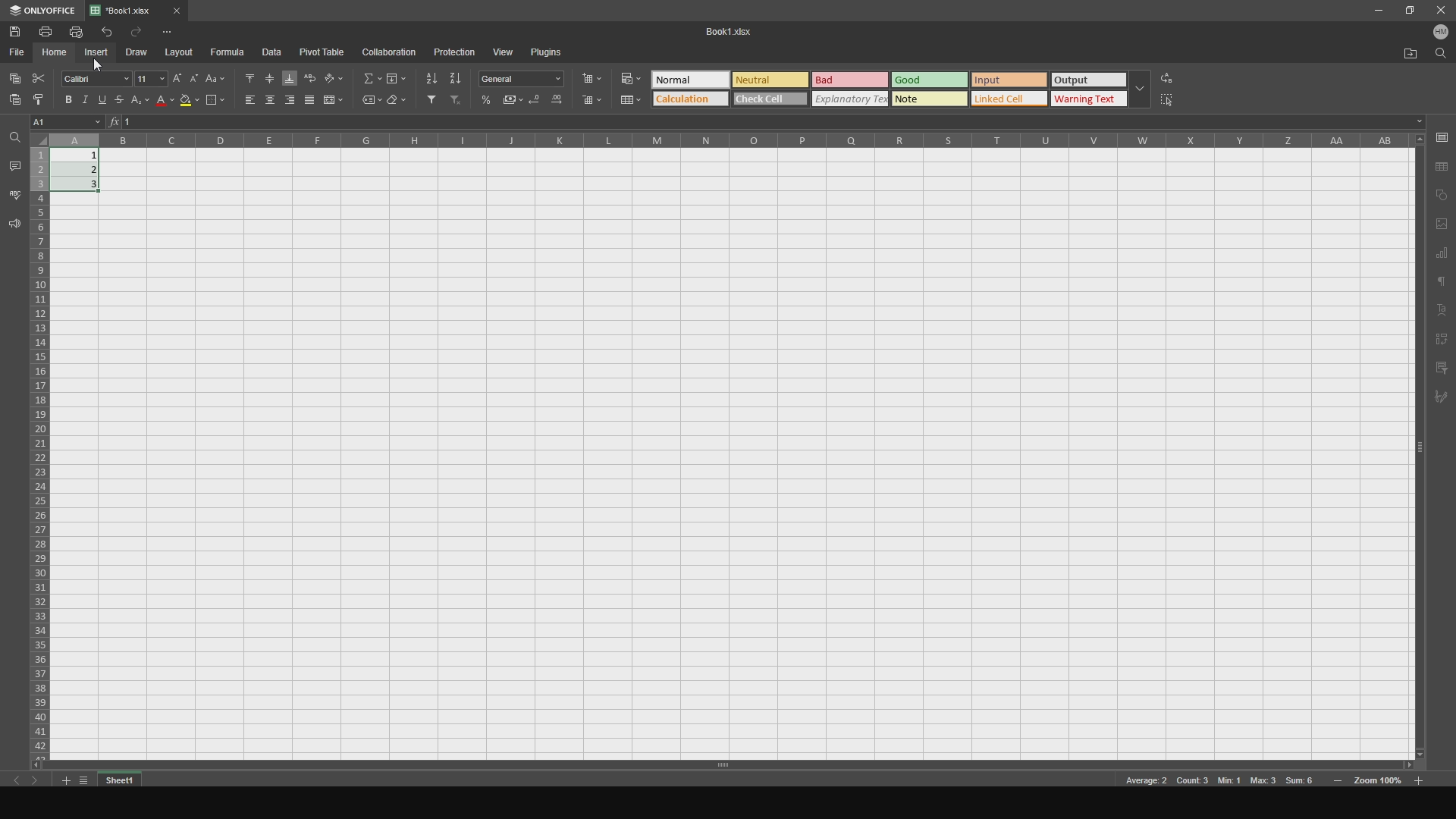 The height and width of the screenshot is (819, 1456). I want to click on font, so click(96, 78).